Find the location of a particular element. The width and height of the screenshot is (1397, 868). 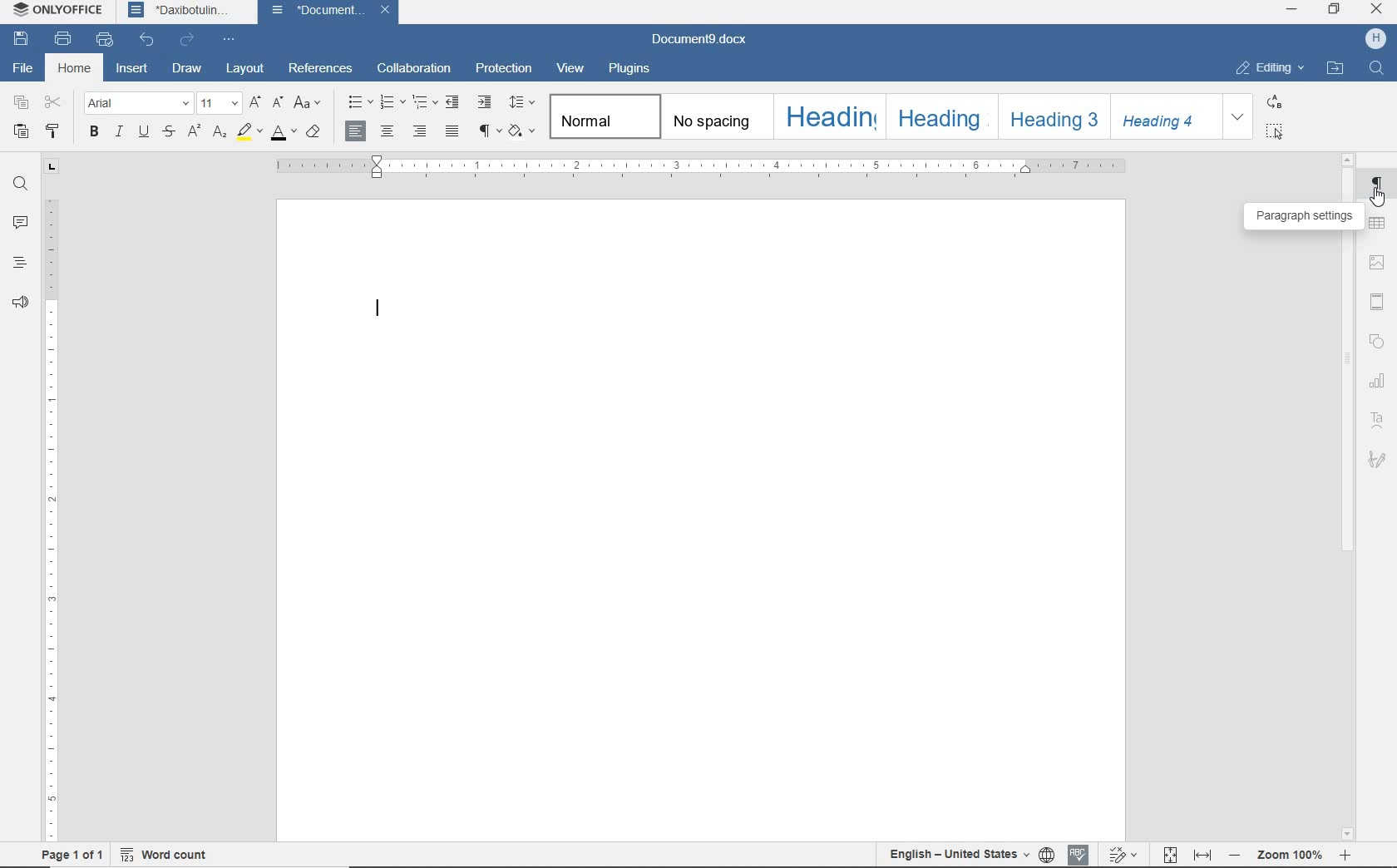

align left is located at coordinates (357, 132).